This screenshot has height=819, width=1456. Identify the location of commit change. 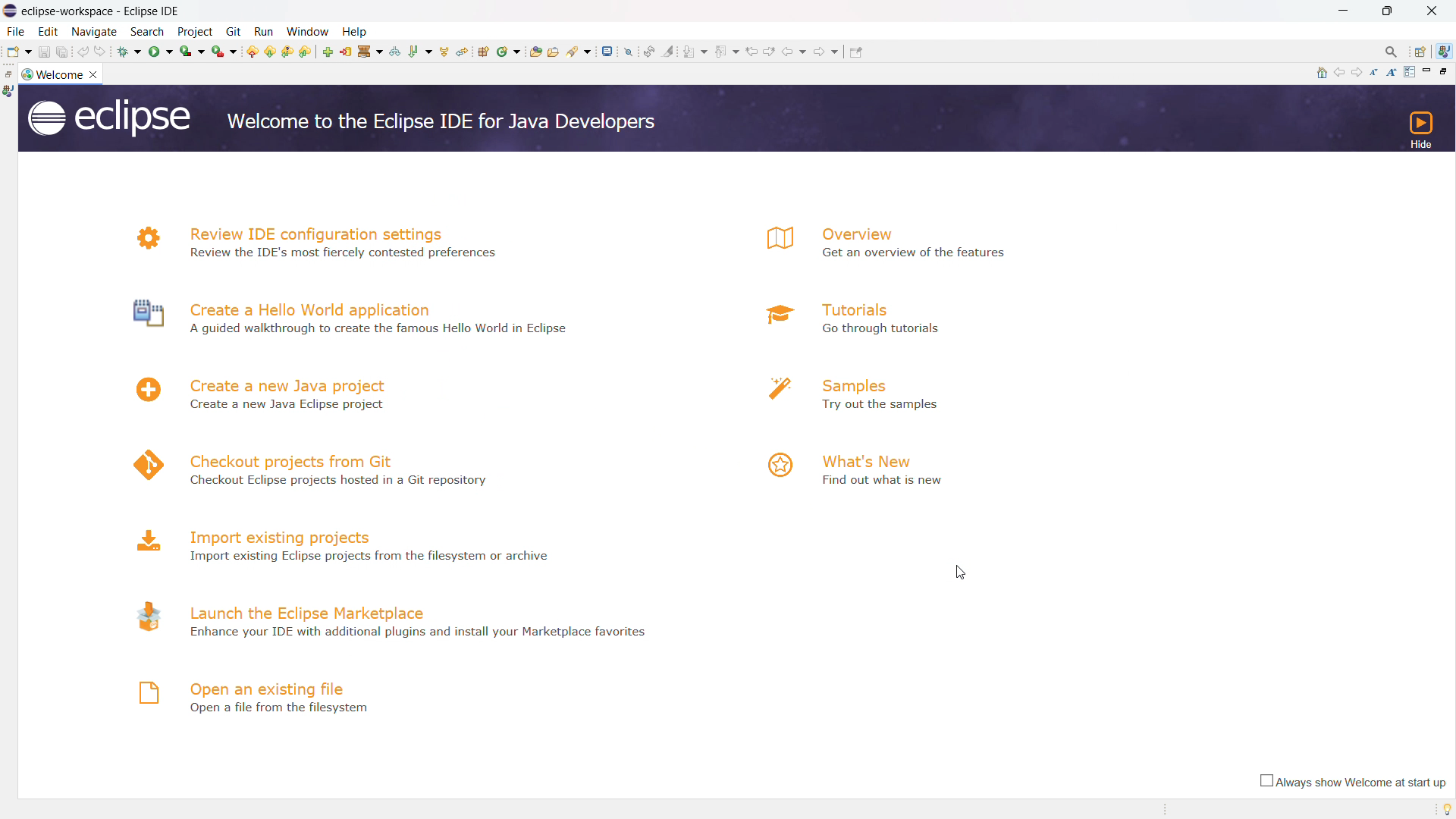
(345, 51).